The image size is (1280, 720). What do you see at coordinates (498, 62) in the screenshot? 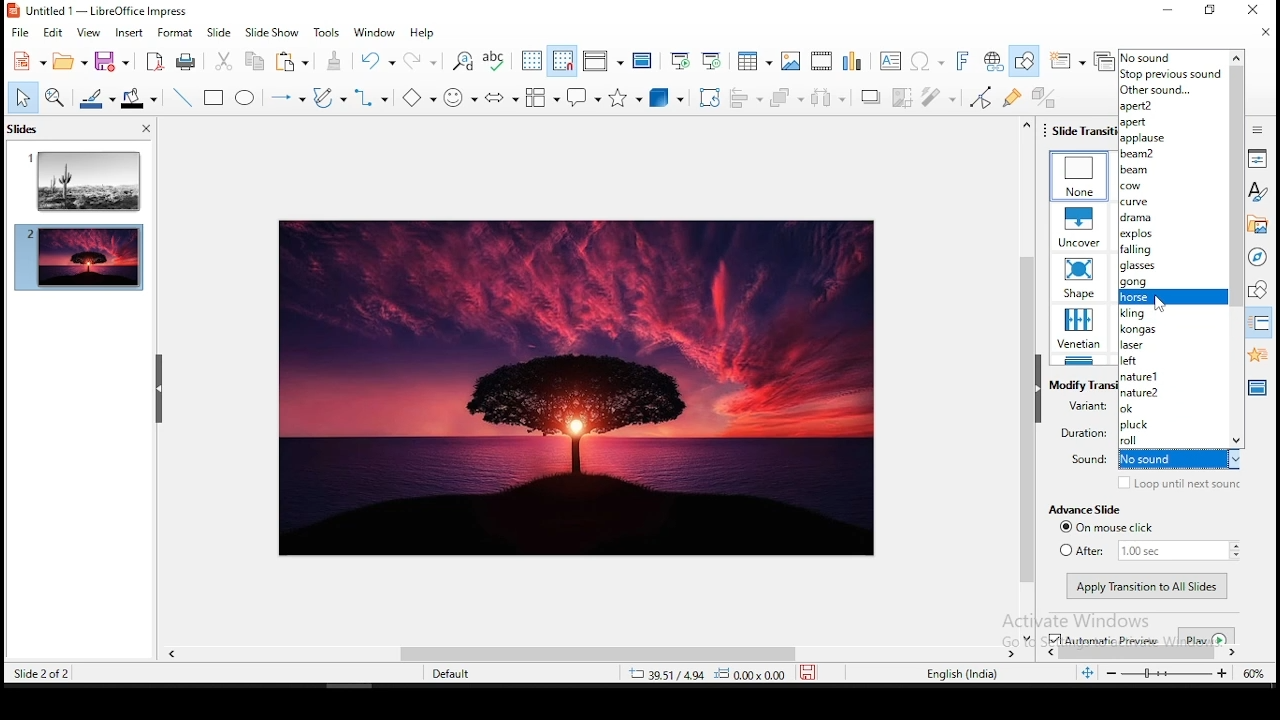
I see `spell check` at bounding box center [498, 62].